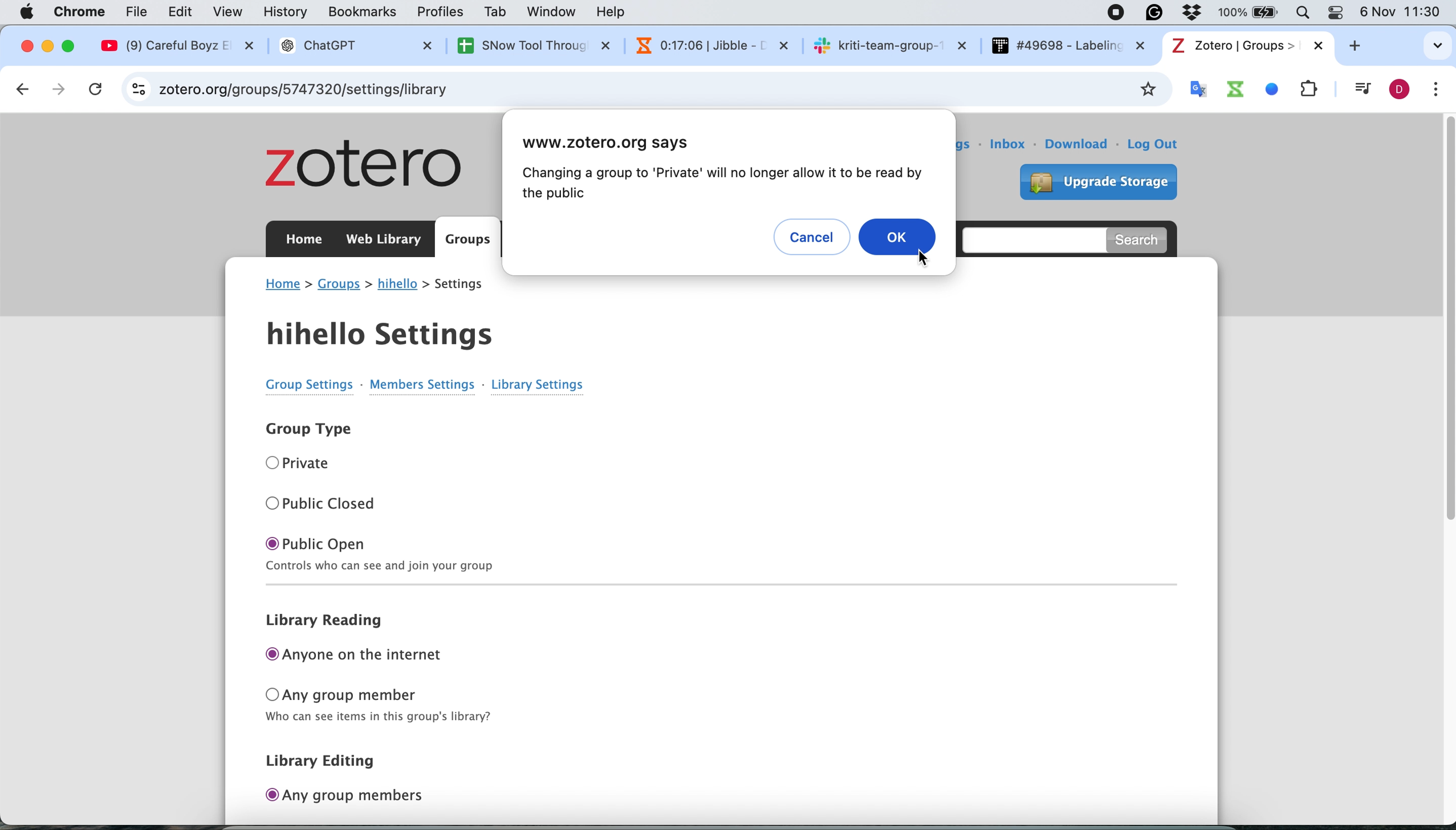  Describe the element at coordinates (808, 144) in the screenshot. I see `welcome` at that location.